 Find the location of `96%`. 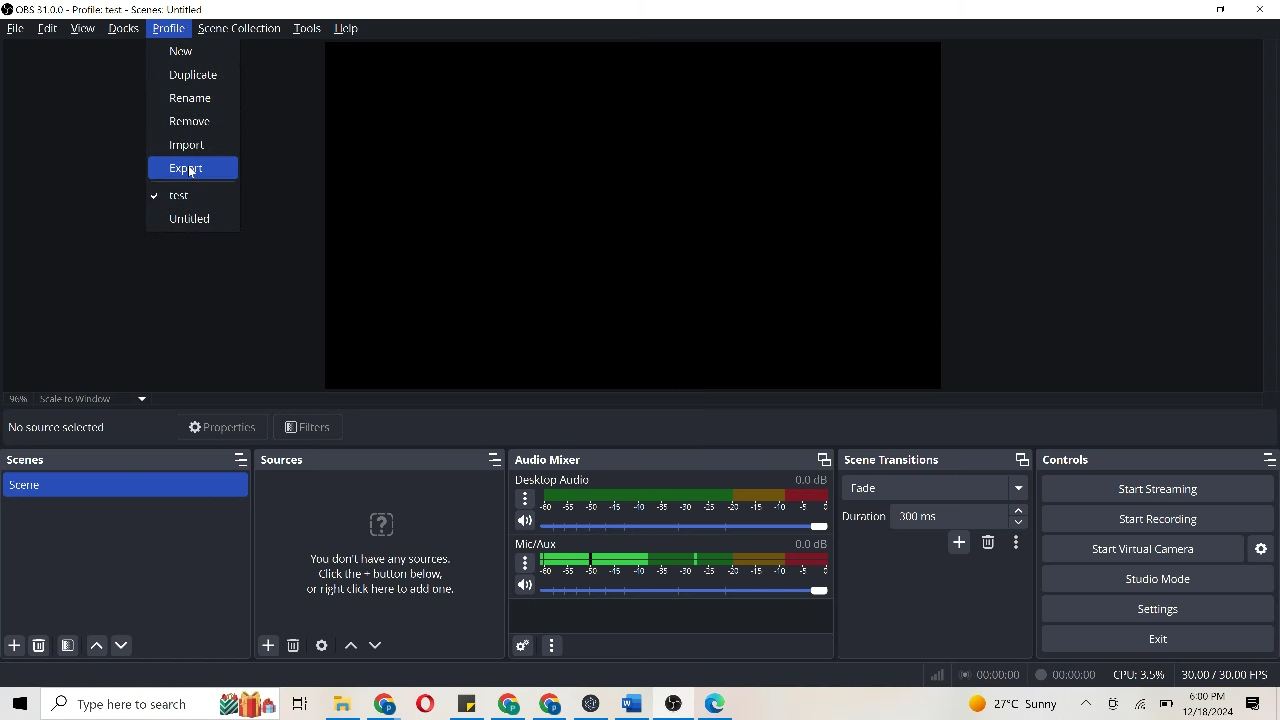

96% is located at coordinates (19, 395).